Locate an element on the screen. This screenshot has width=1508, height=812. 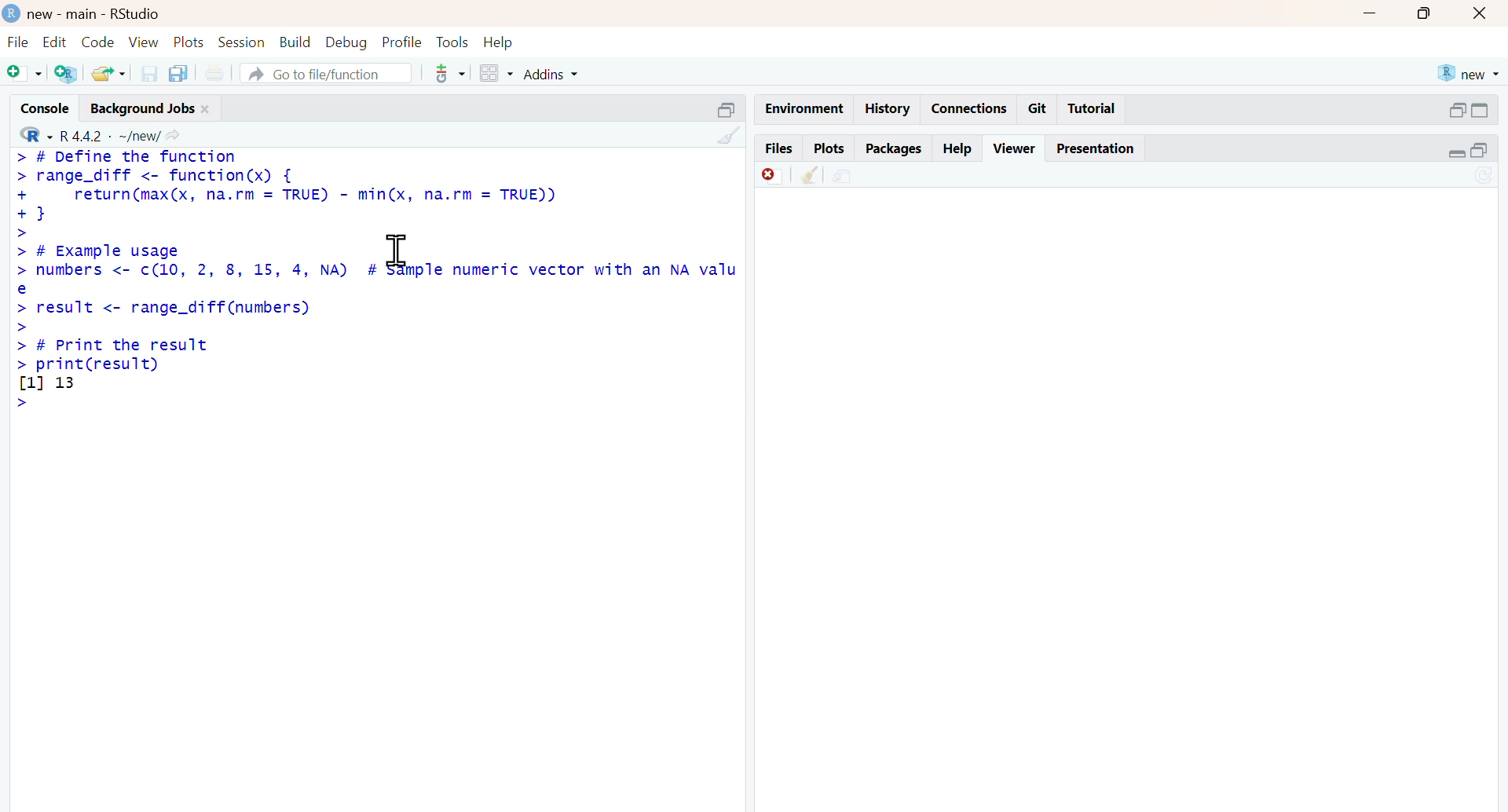
console is located at coordinates (49, 108).